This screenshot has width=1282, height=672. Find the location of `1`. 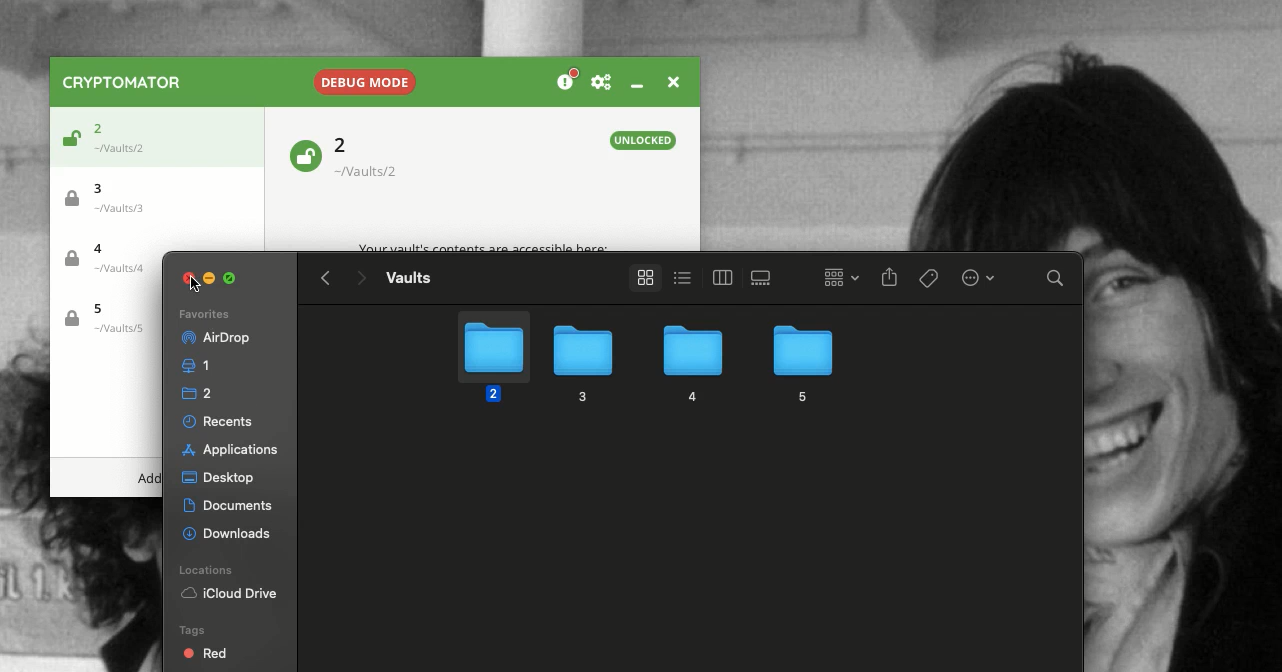

1 is located at coordinates (200, 366).